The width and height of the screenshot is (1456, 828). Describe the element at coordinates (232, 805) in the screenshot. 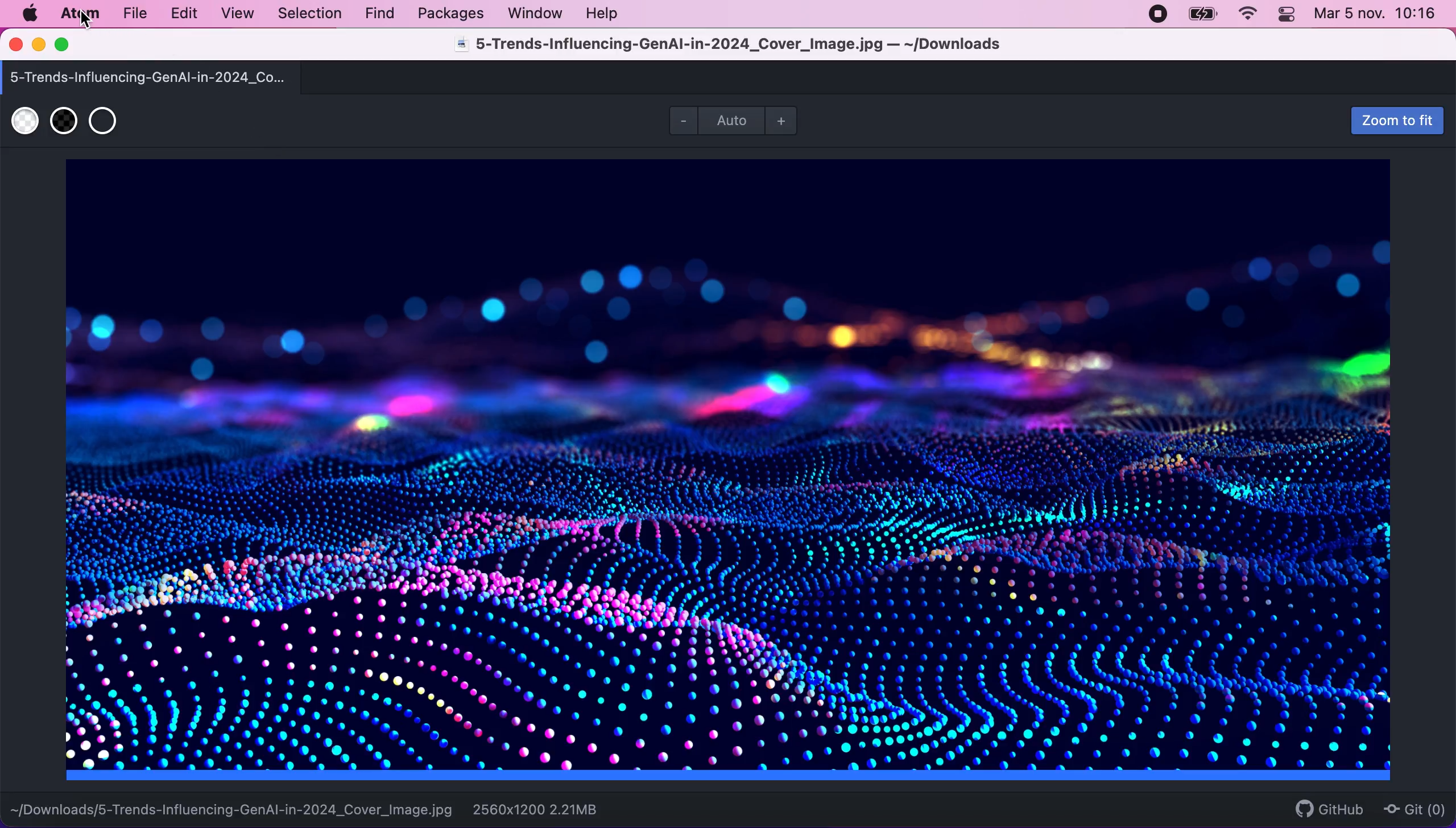

I see `click to copy absolute file path` at that location.